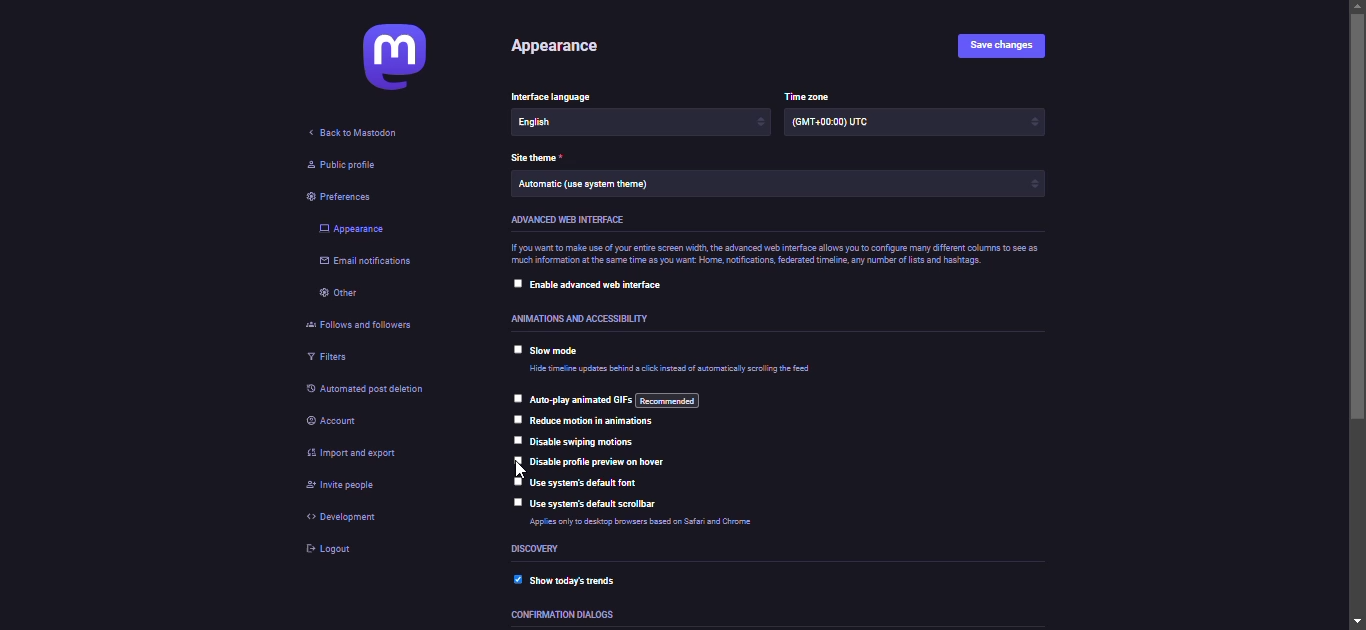 Image resolution: width=1366 pixels, height=630 pixels. I want to click on click to select, so click(516, 480).